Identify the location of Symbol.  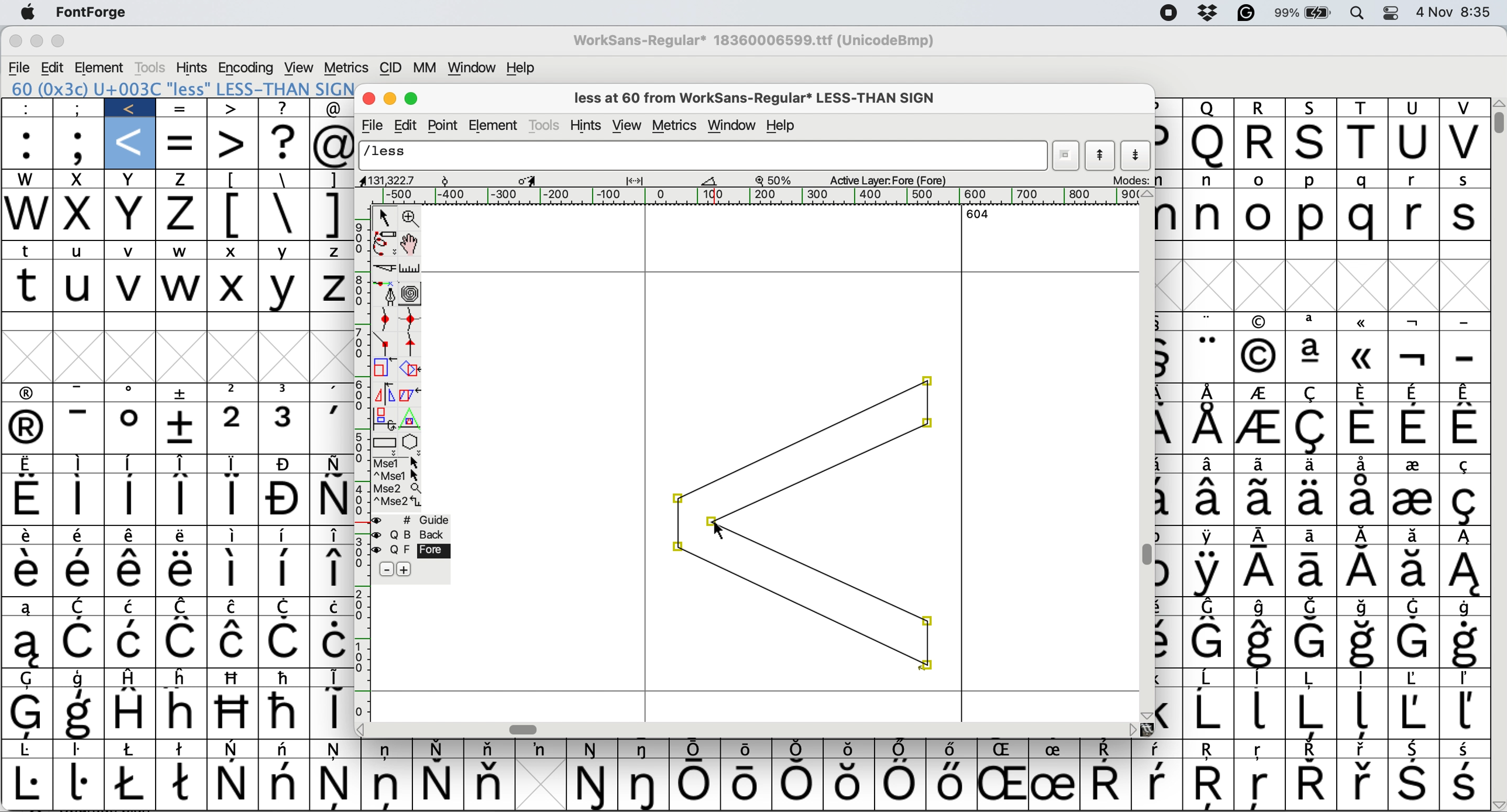
(130, 394).